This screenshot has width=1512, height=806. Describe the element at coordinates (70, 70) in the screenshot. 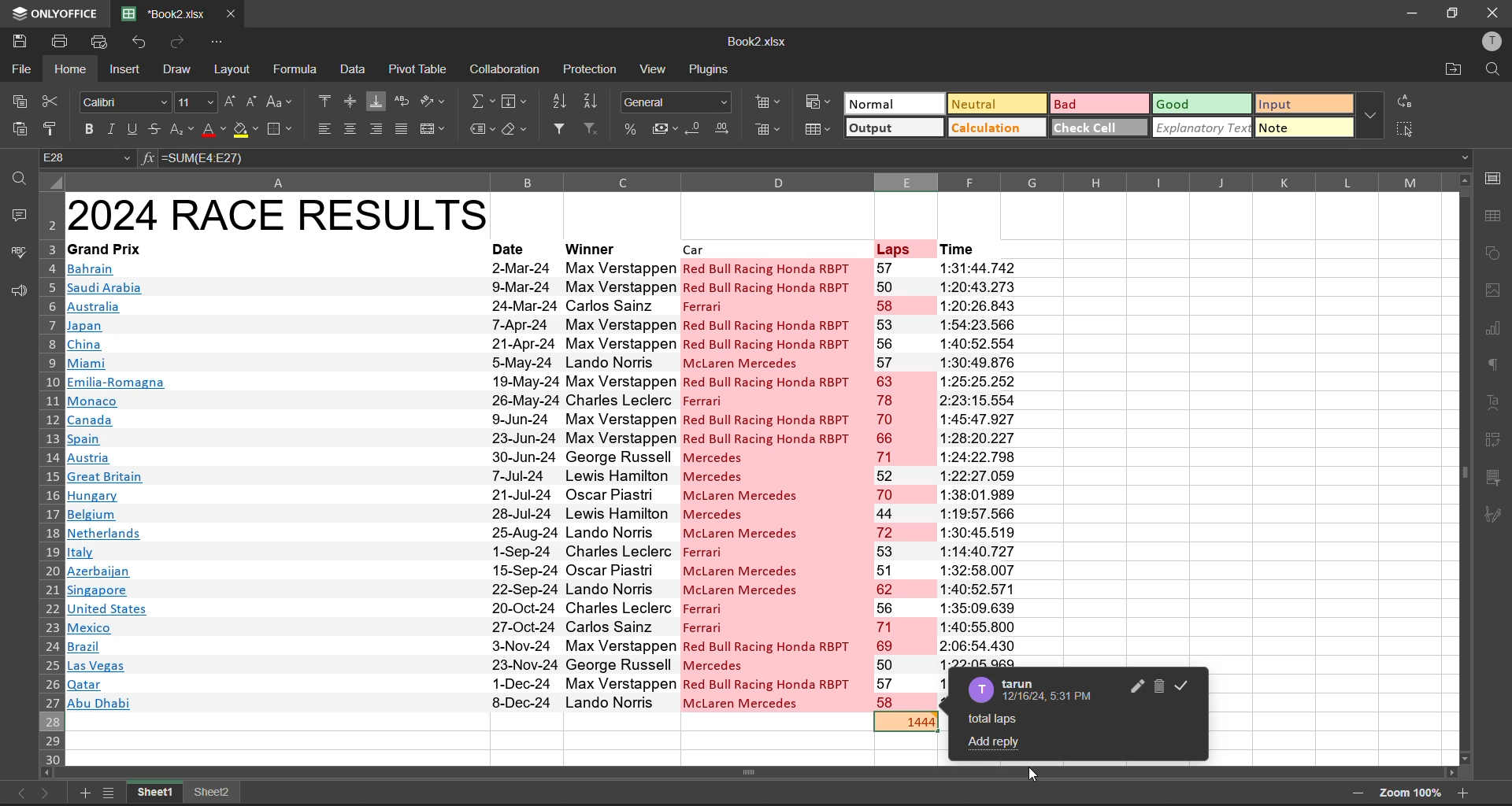

I see `home` at that location.